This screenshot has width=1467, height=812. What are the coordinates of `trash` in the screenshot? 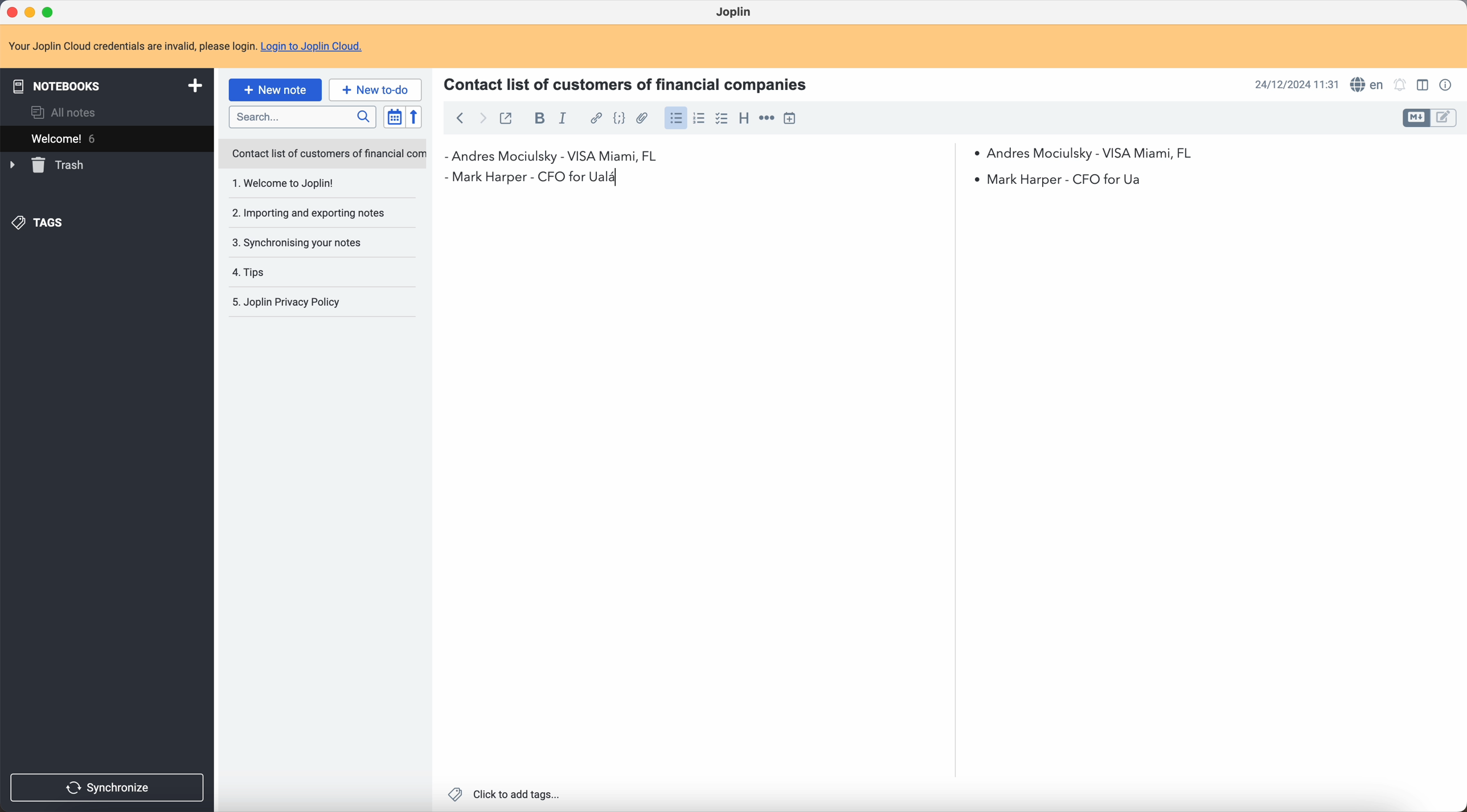 It's located at (48, 165).